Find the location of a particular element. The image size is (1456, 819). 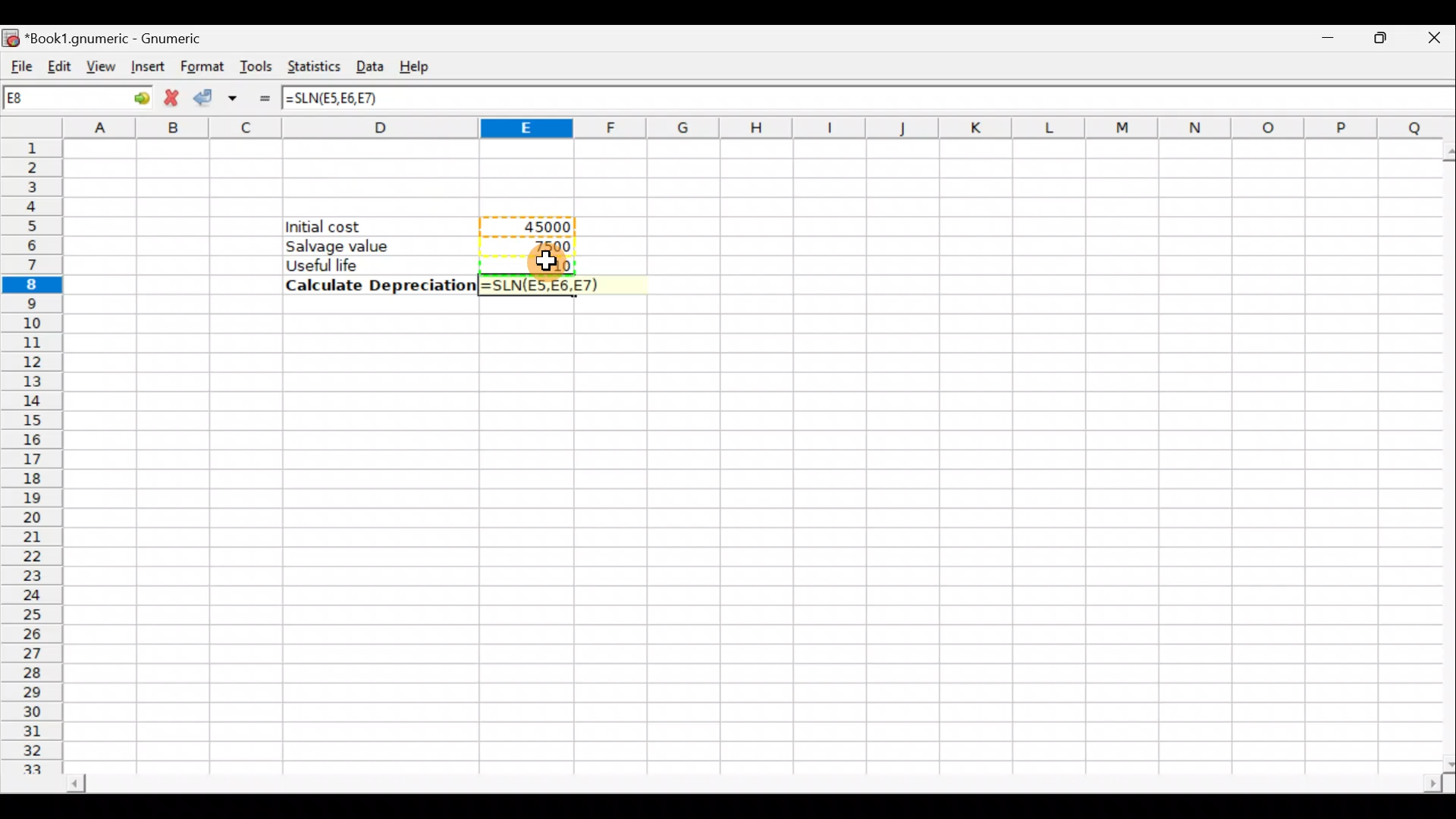

Calculate Depreciation is located at coordinates (376, 285).